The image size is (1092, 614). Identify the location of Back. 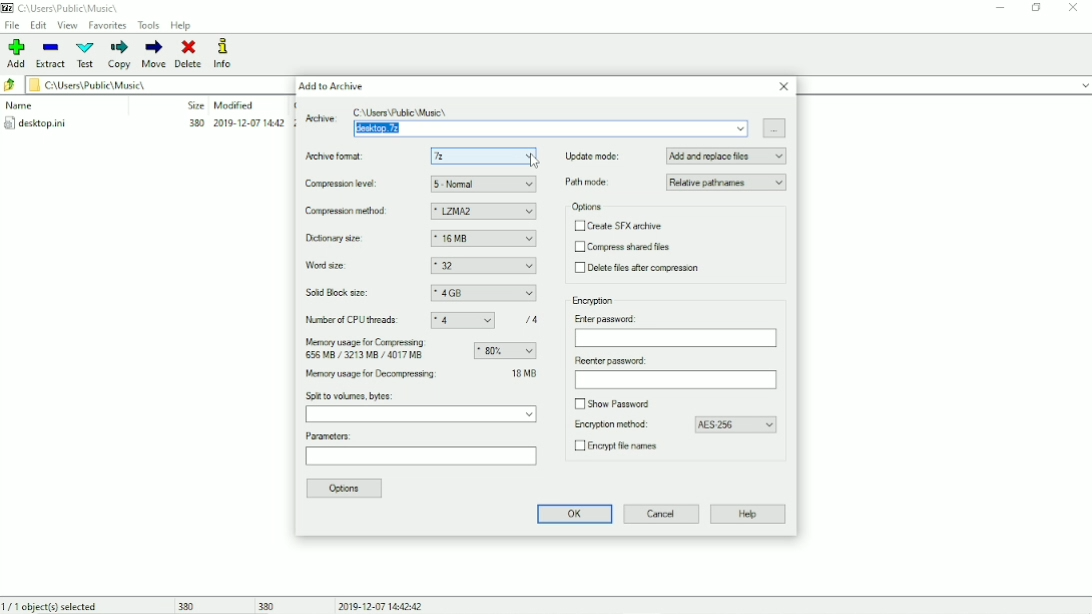
(10, 86).